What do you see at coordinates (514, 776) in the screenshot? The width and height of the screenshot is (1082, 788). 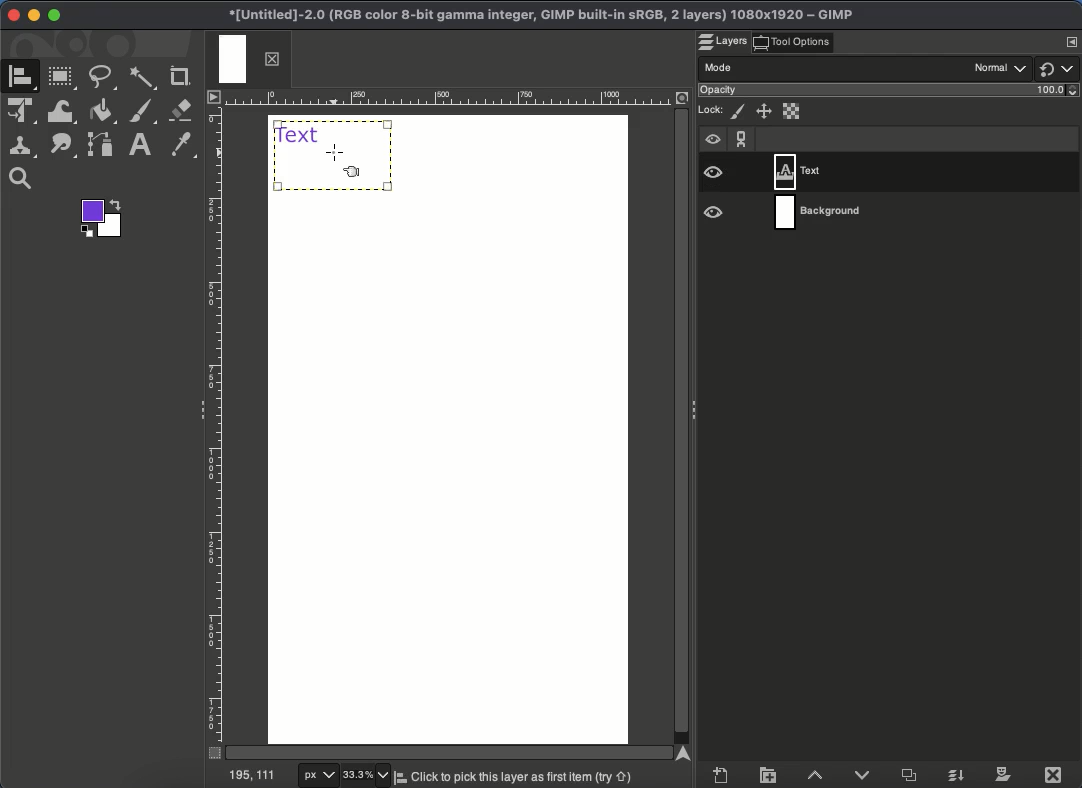 I see `Click to pick this layer first item` at bounding box center [514, 776].